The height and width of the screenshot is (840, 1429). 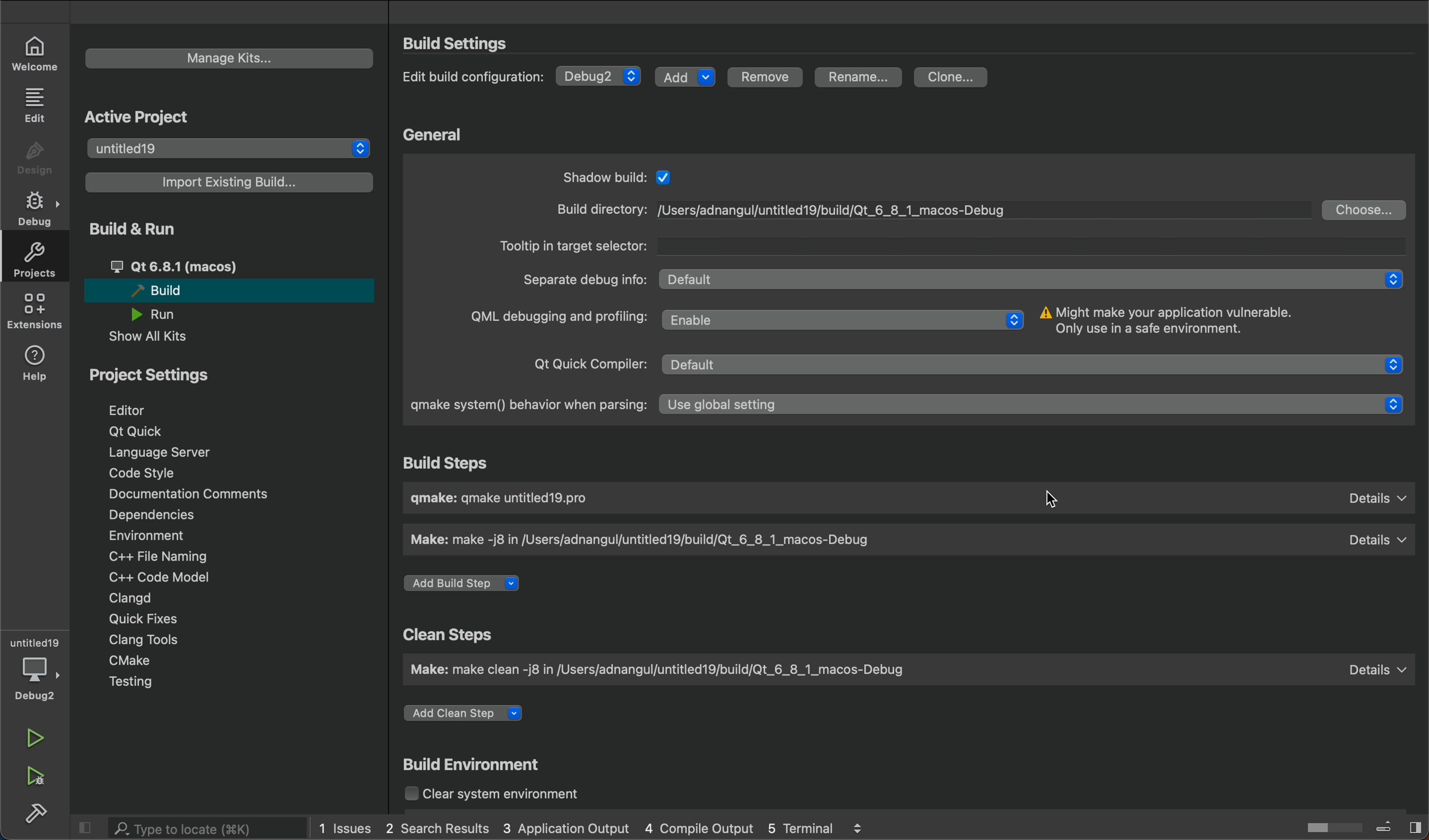 What do you see at coordinates (164, 314) in the screenshot?
I see `run` at bounding box center [164, 314].